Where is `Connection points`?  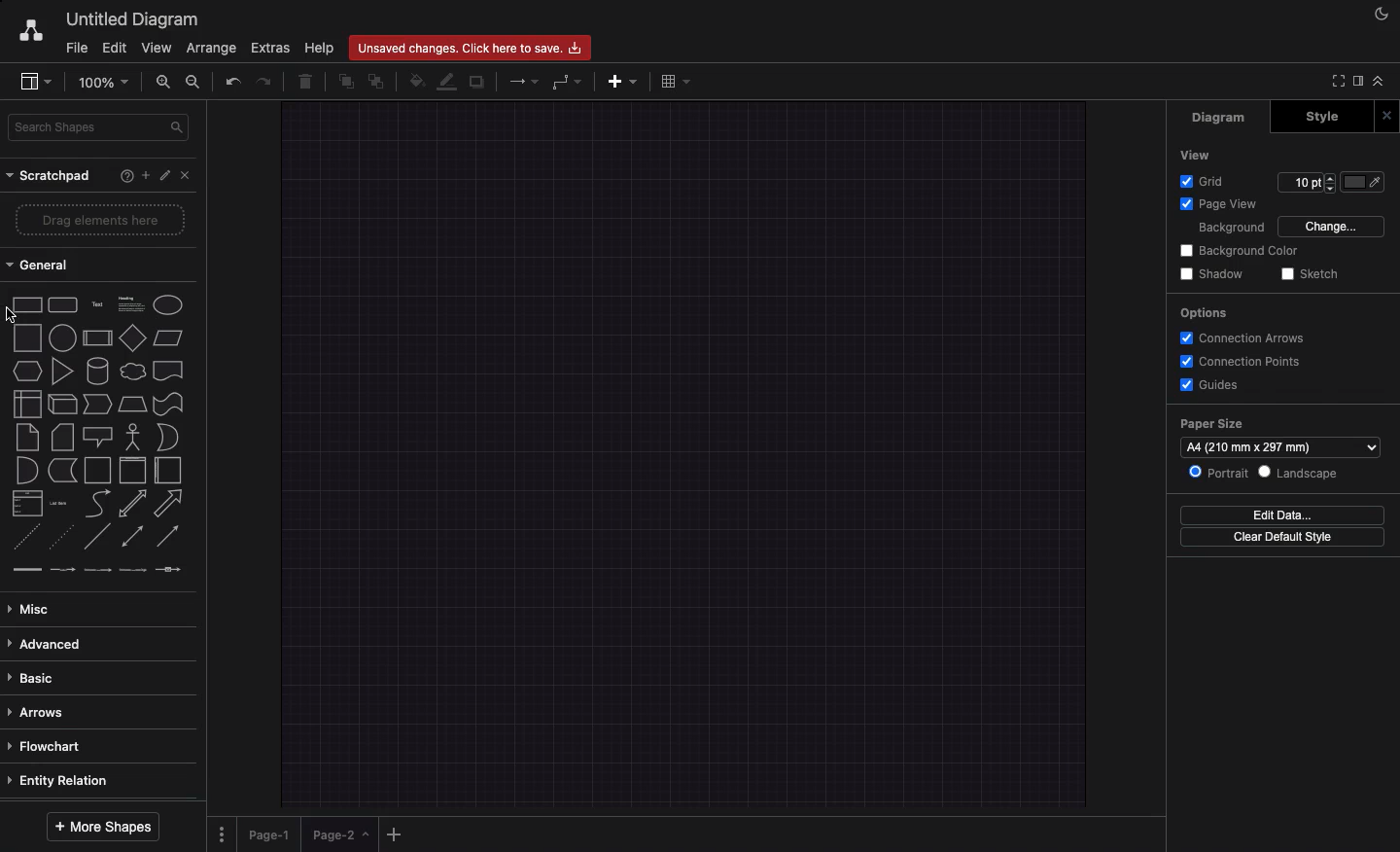
Connection points is located at coordinates (1242, 362).